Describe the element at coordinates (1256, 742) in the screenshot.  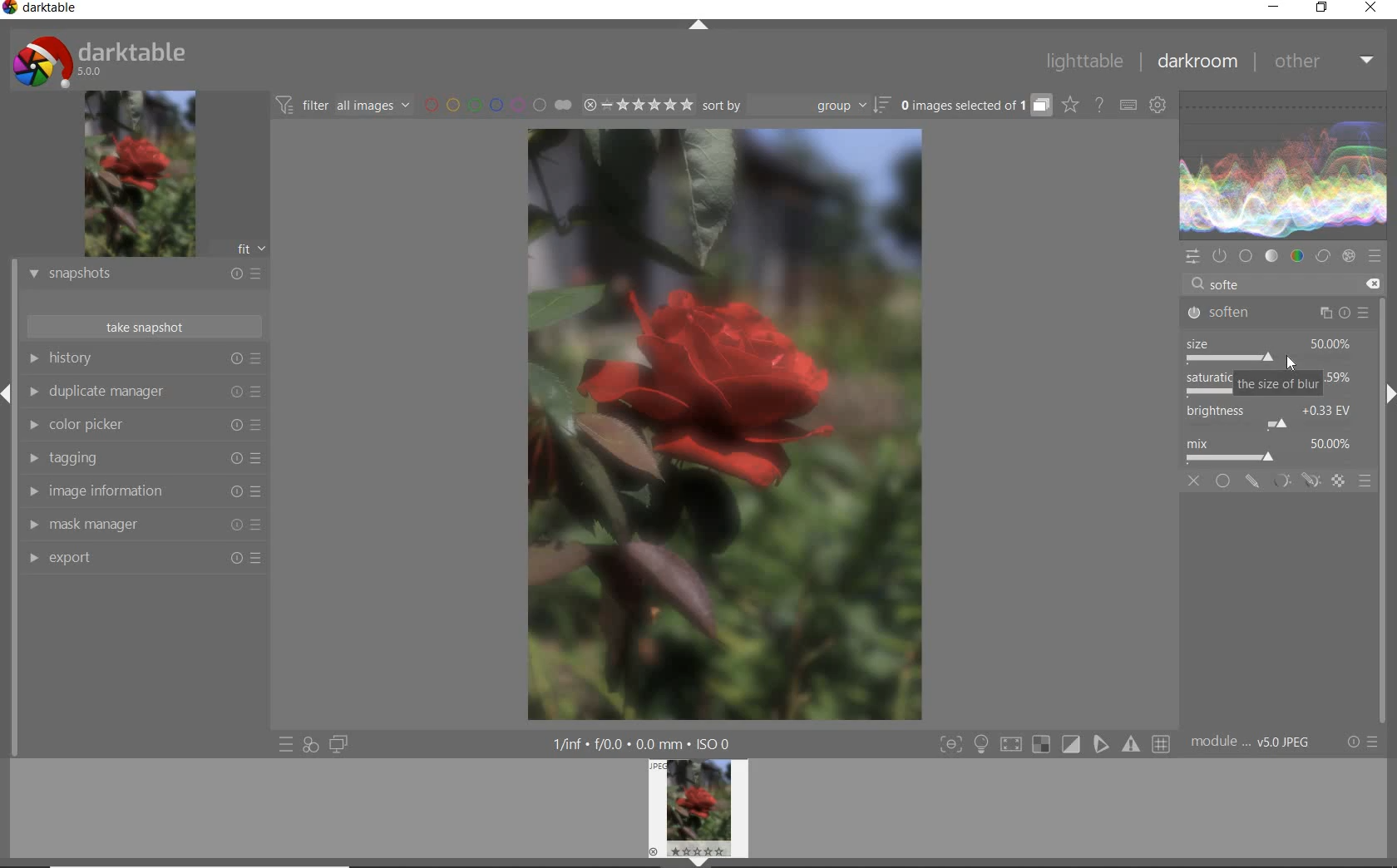
I see `module..v50JPEG` at that location.